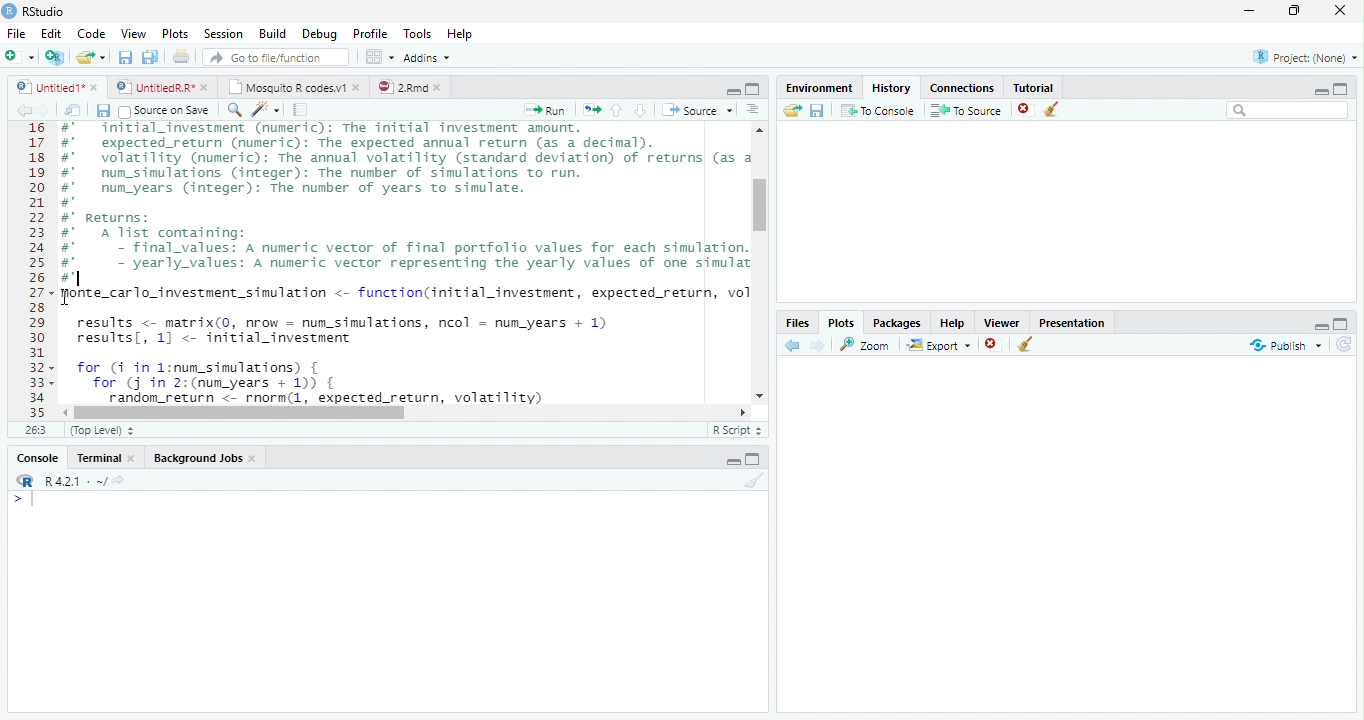  What do you see at coordinates (590, 110) in the screenshot?
I see `Re-run the previous code region` at bounding box center [590, 110].